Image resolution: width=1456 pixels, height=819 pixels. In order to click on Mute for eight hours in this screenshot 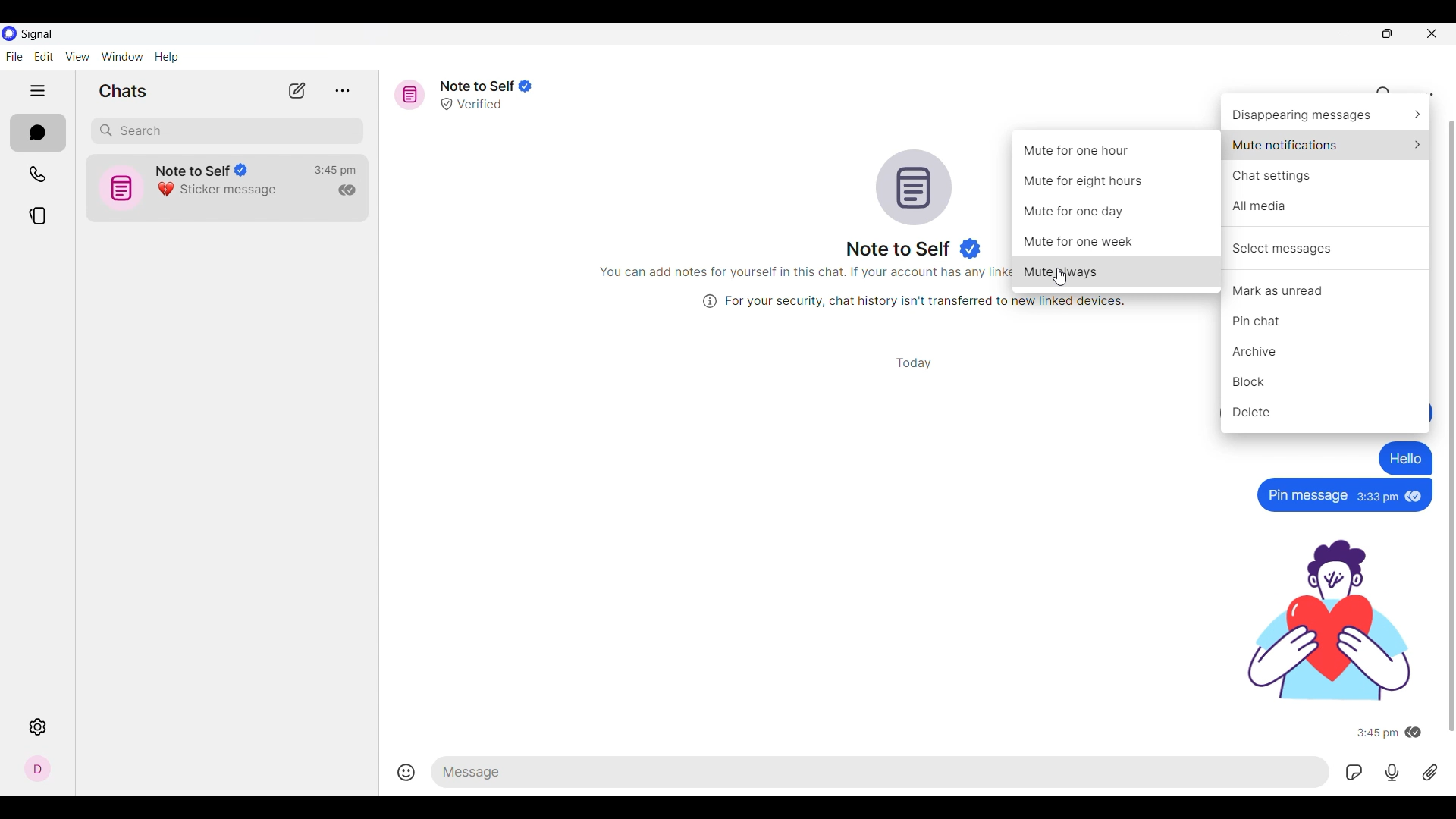, I will do `click(1084, 181)`.